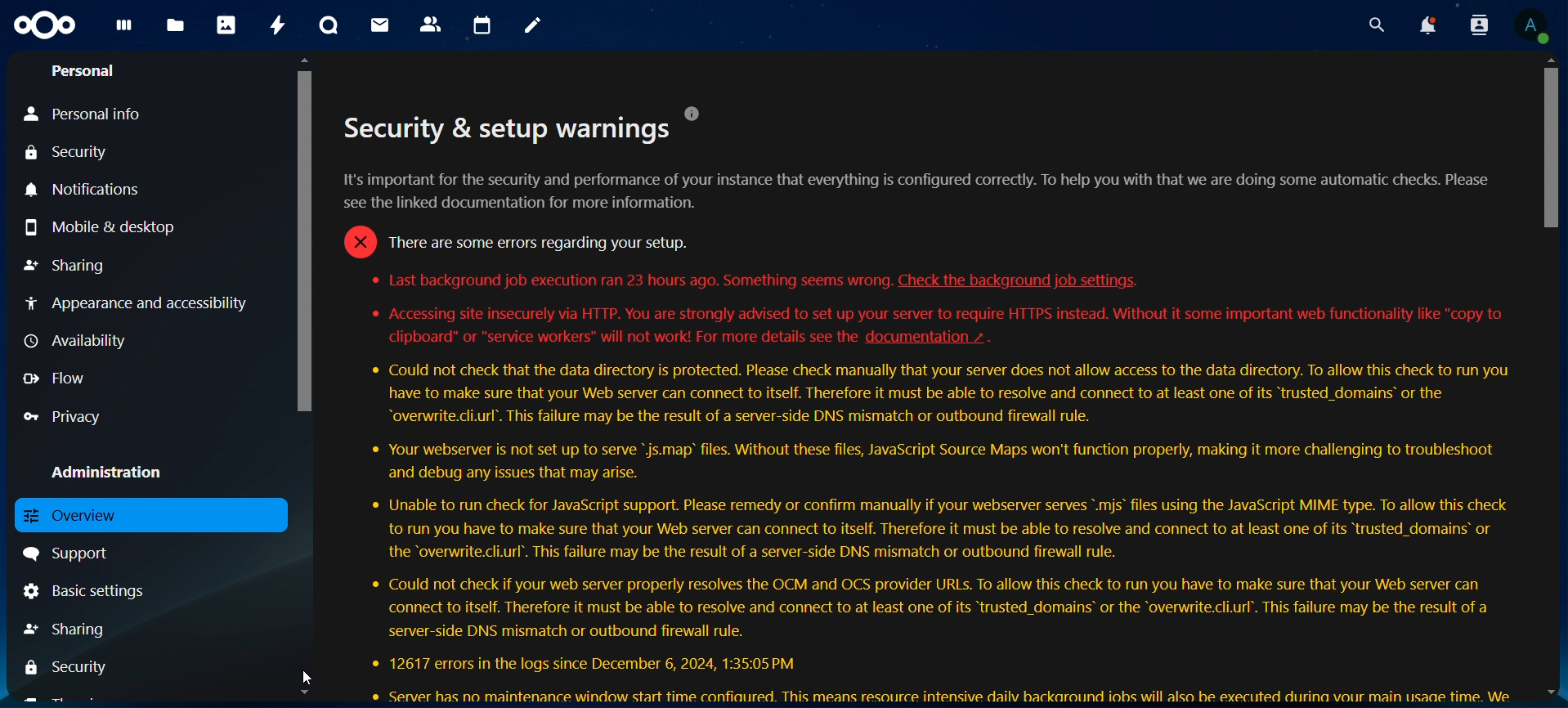 The height and width of the screenshot is (708, 1568). What do you see at coordinates (65, 267) in the screenshot?
I see `sharing` at bounding box center [65, 267].